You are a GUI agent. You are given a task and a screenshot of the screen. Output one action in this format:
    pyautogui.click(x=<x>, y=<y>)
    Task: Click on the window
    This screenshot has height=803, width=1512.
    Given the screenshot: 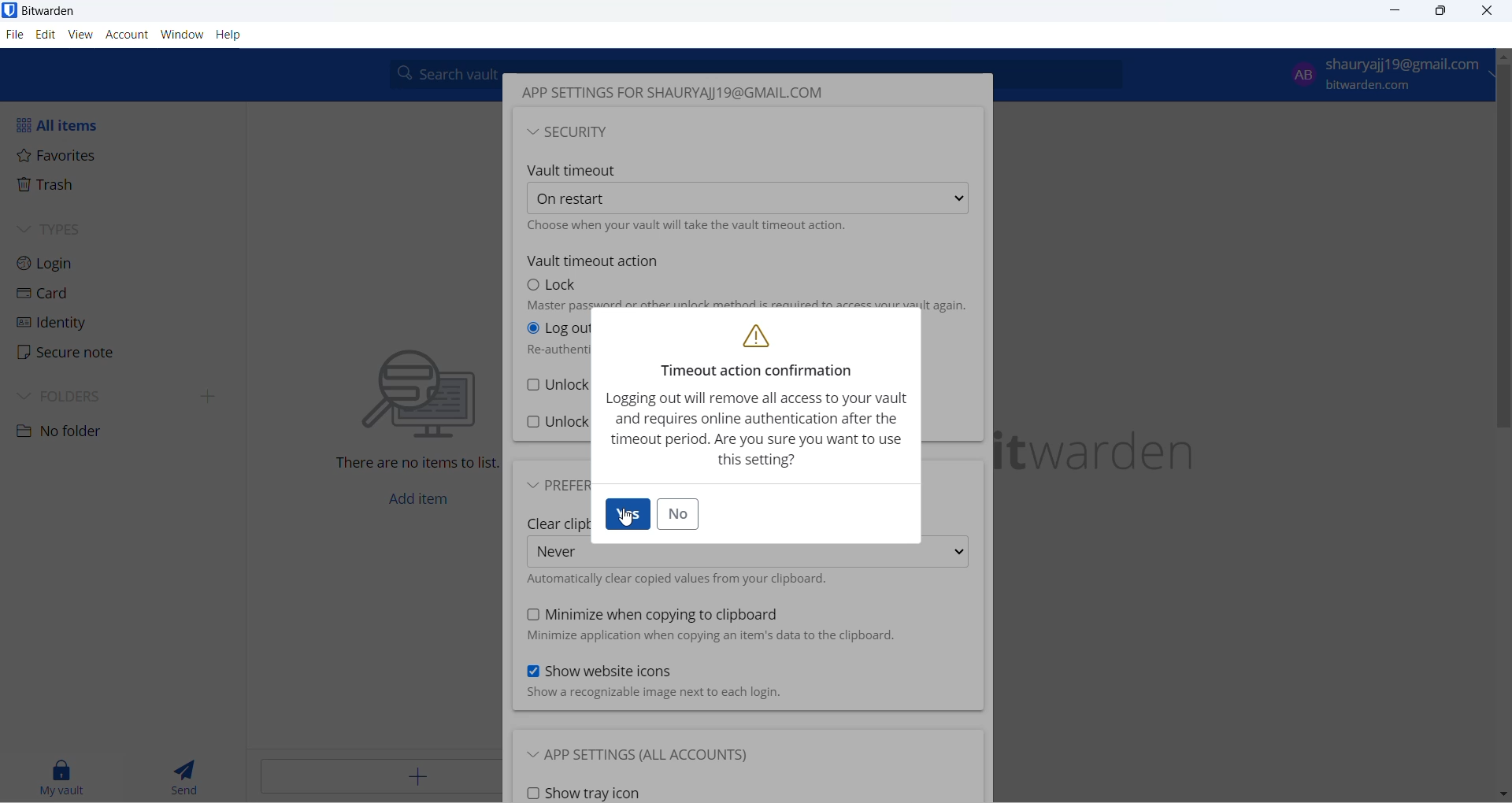 What is the action you would take?
    pyautogui.click(x=180, y=35)
    